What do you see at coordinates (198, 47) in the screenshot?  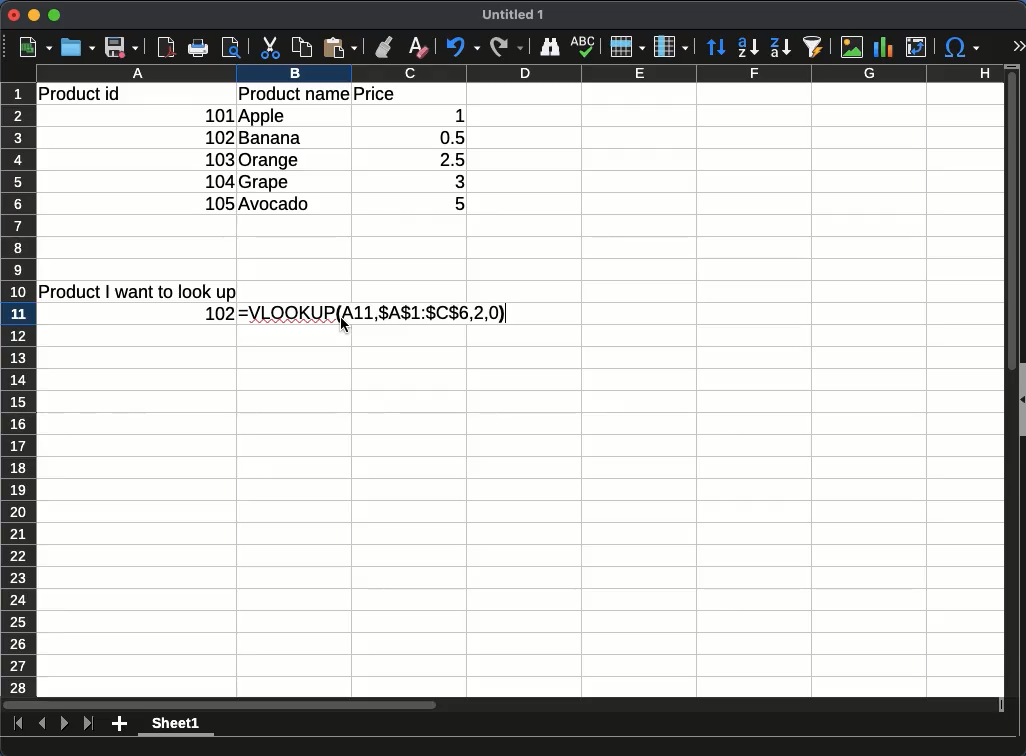 I see `print` at bounding box center [198, 47].